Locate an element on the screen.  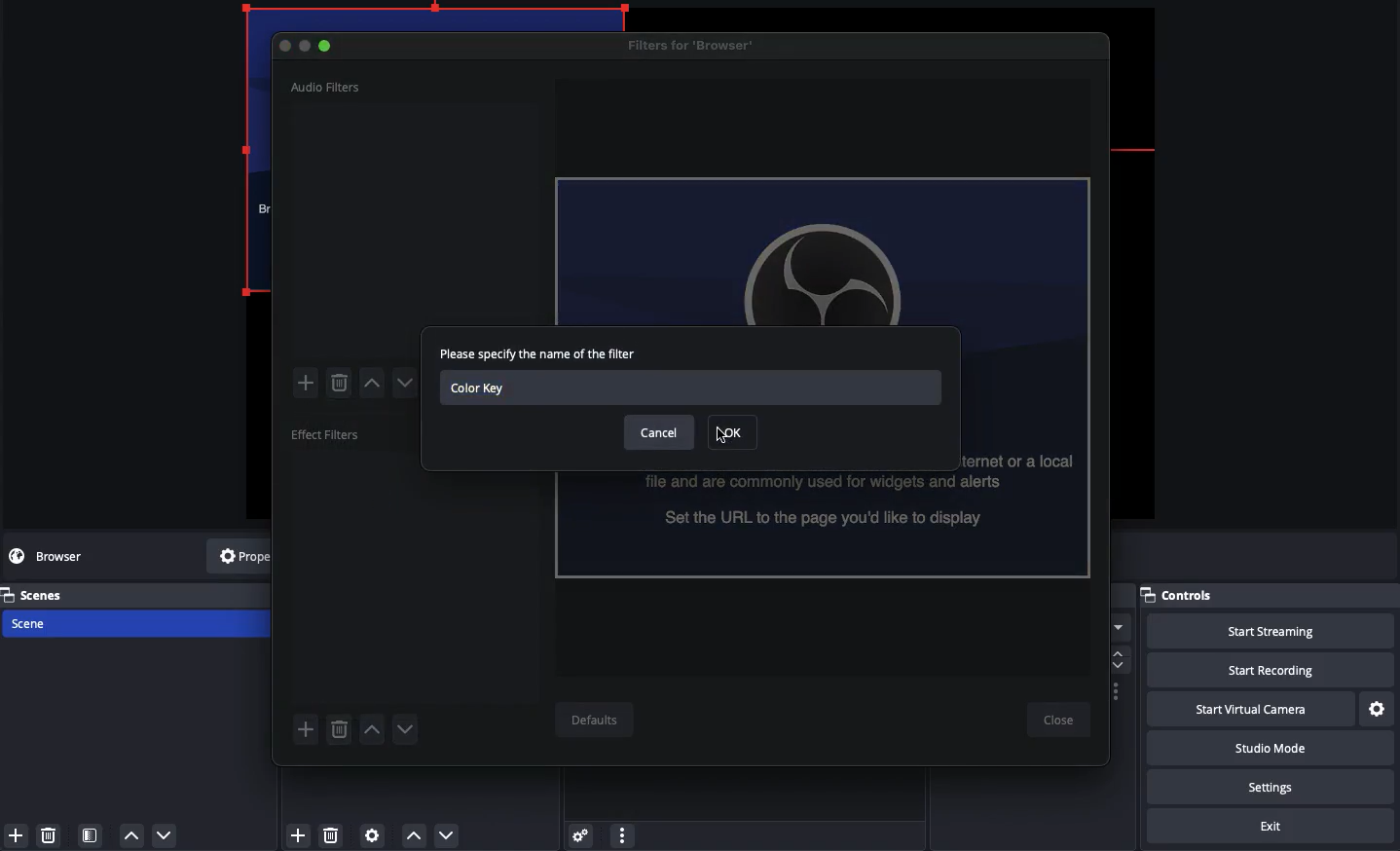
Scene is located at coordinates (40, 622).